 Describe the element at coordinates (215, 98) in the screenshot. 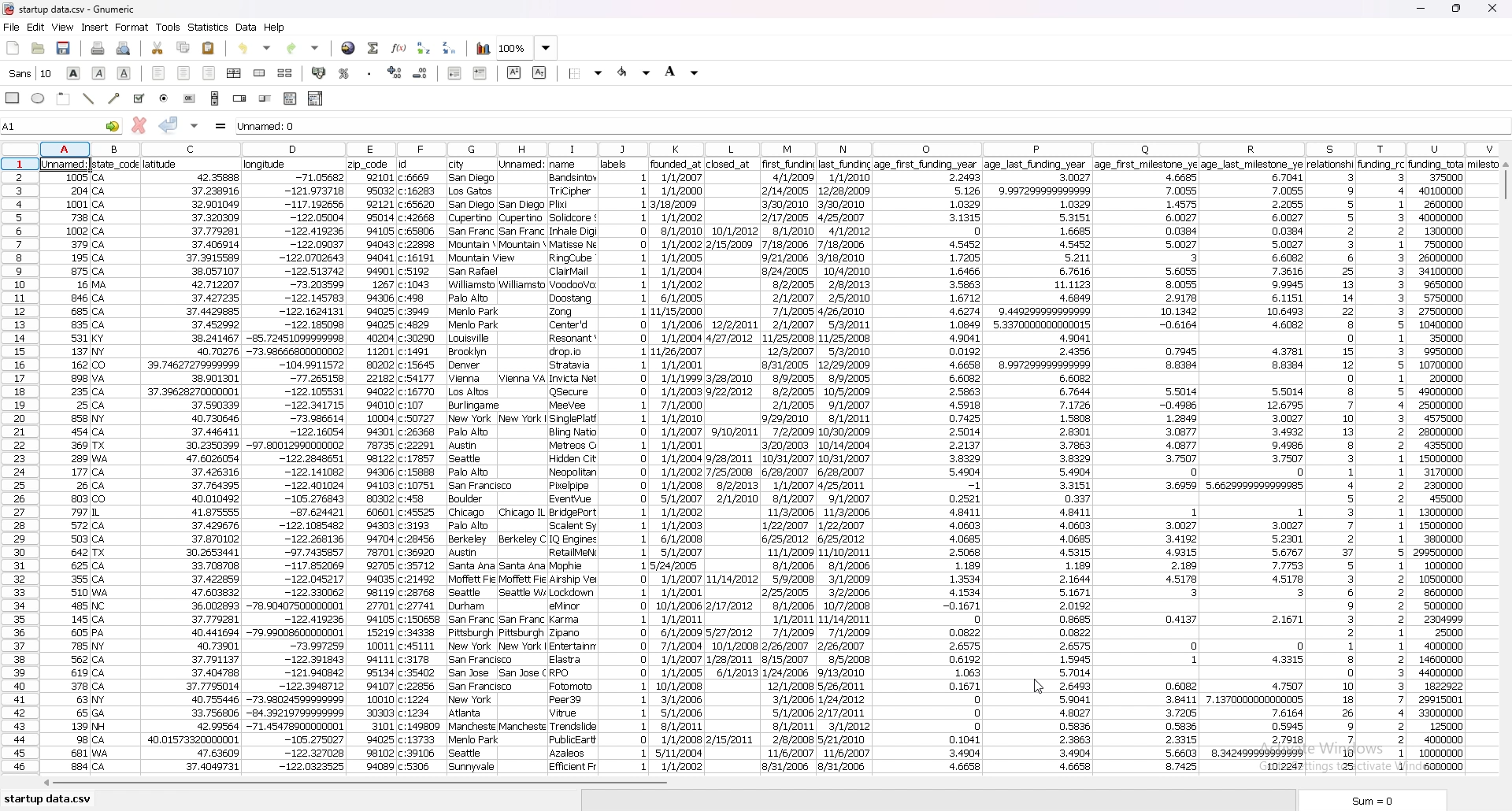

I see `scroll bar` at that location.